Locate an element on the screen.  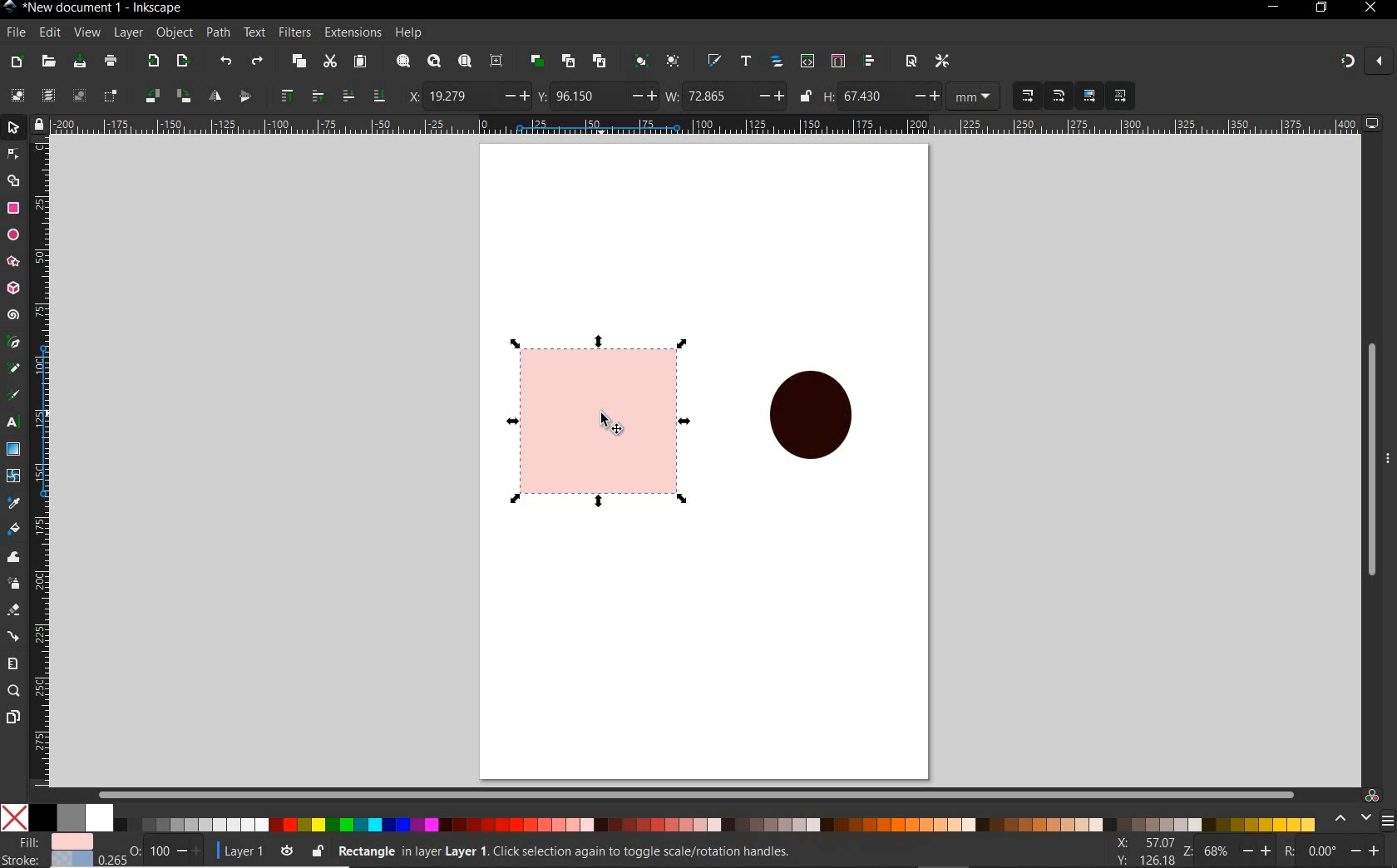
object flip horizontal is located at coordinates (215, 96).